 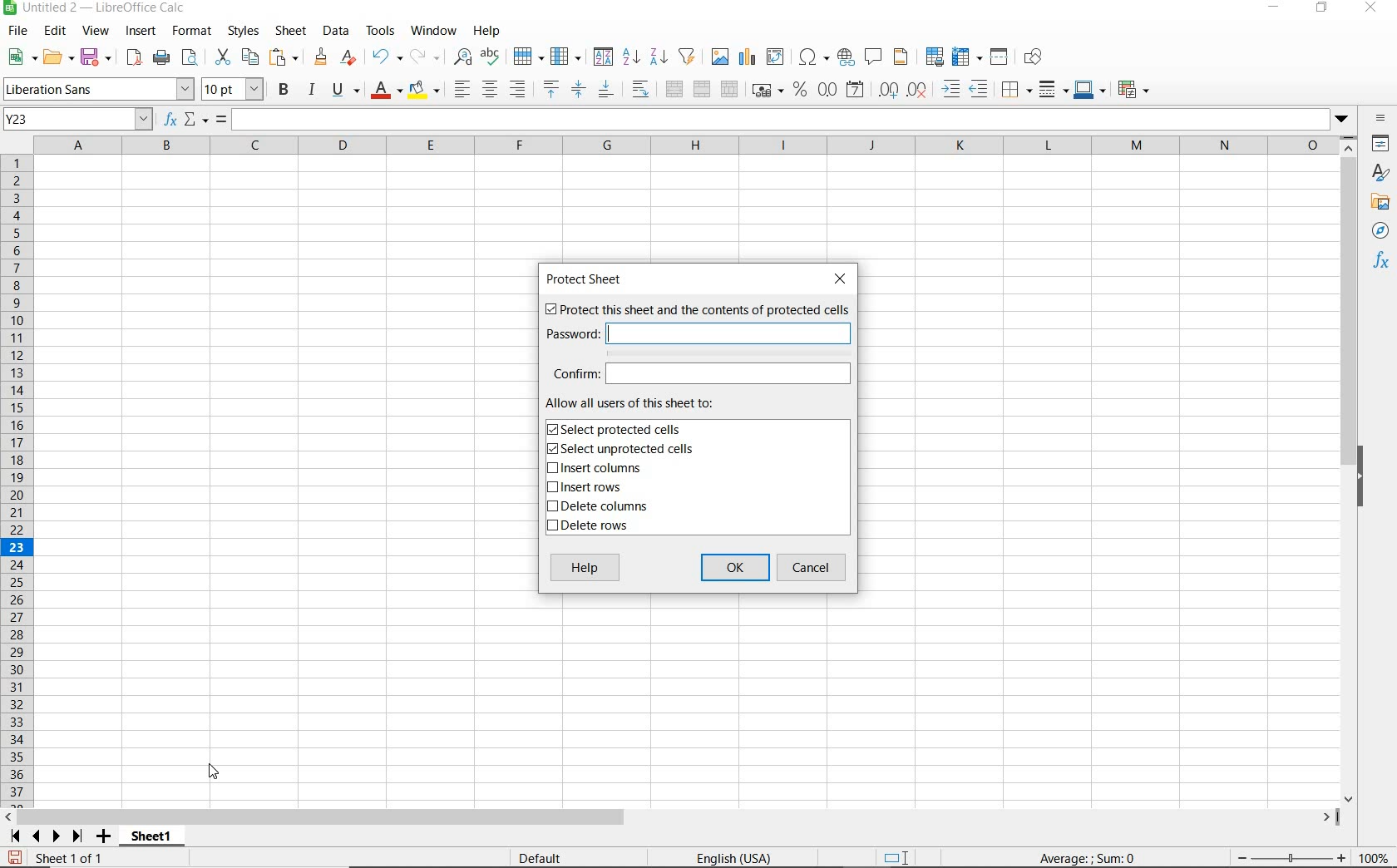 I want to click on STANDARD SELECTION, so click(x=897, y=858).